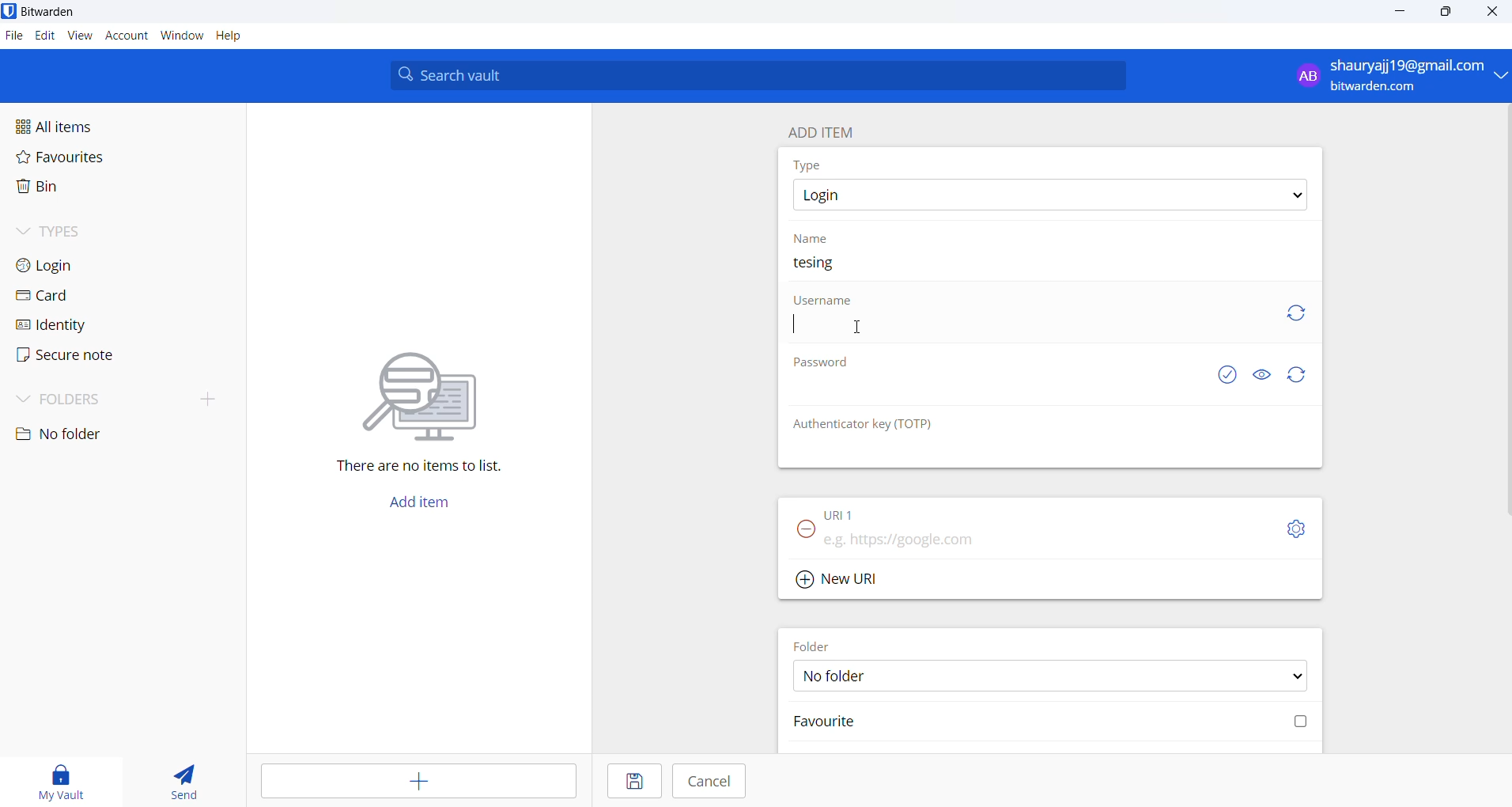 The image size is (1512, 807). What do you see at coordinates (71, 264) in the screenshot?
I see `login` at bounding box center [71, 264].